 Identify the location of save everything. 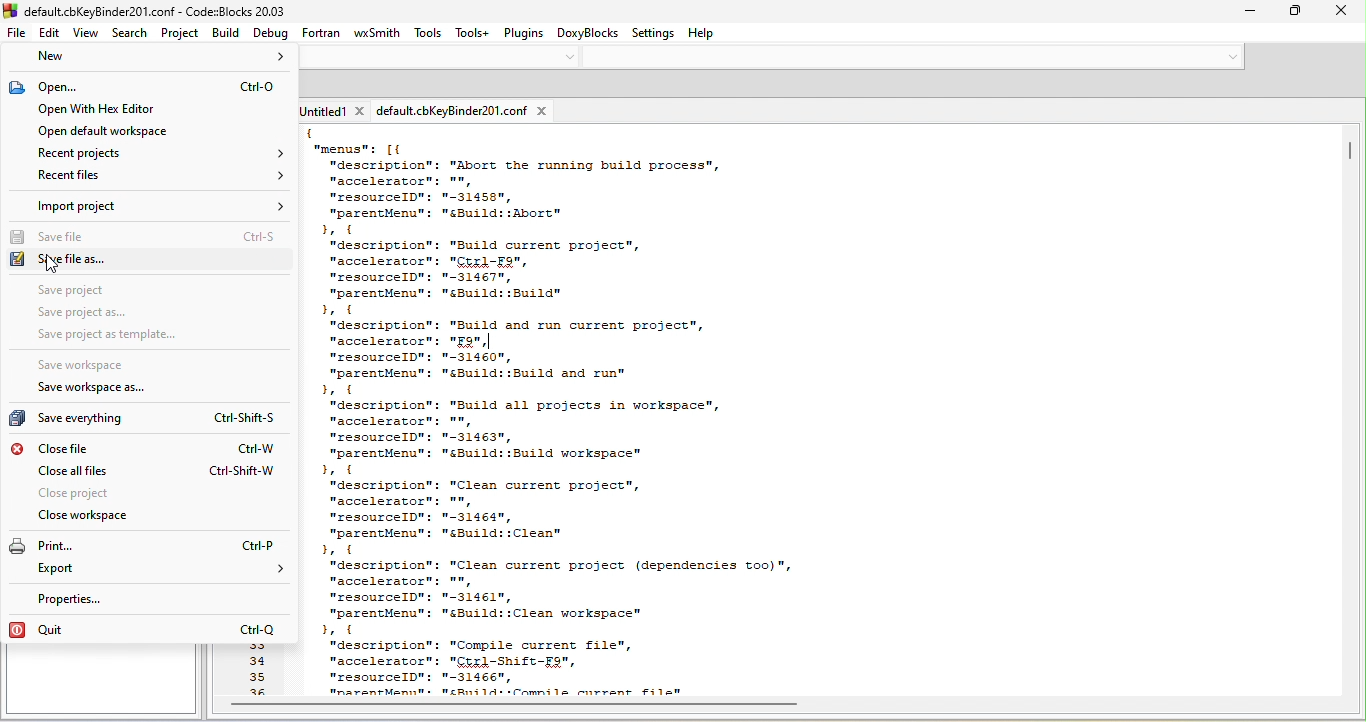
(146, 421).